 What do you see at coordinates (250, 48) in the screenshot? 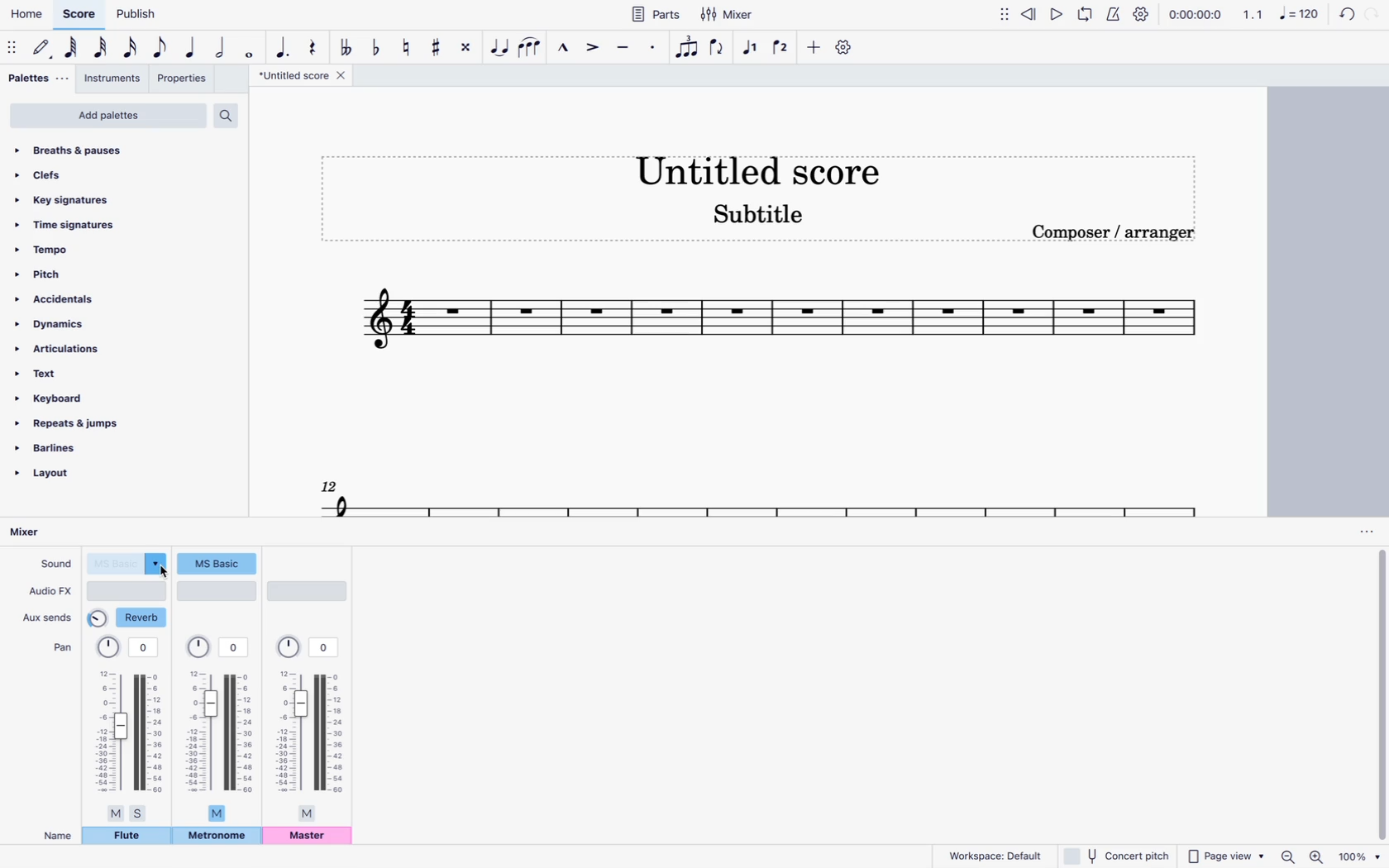
I see `full note` at bounding box center [250, 48].